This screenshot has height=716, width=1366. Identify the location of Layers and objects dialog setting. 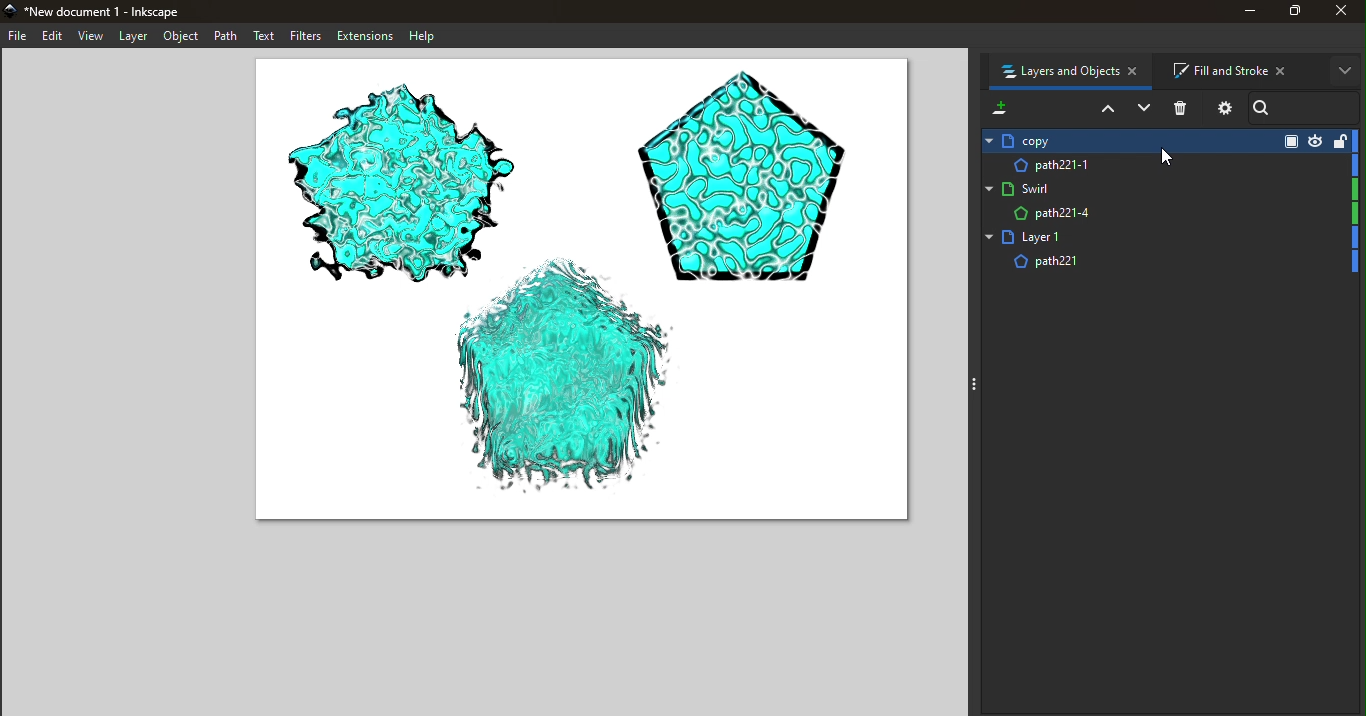
(1223, 111).